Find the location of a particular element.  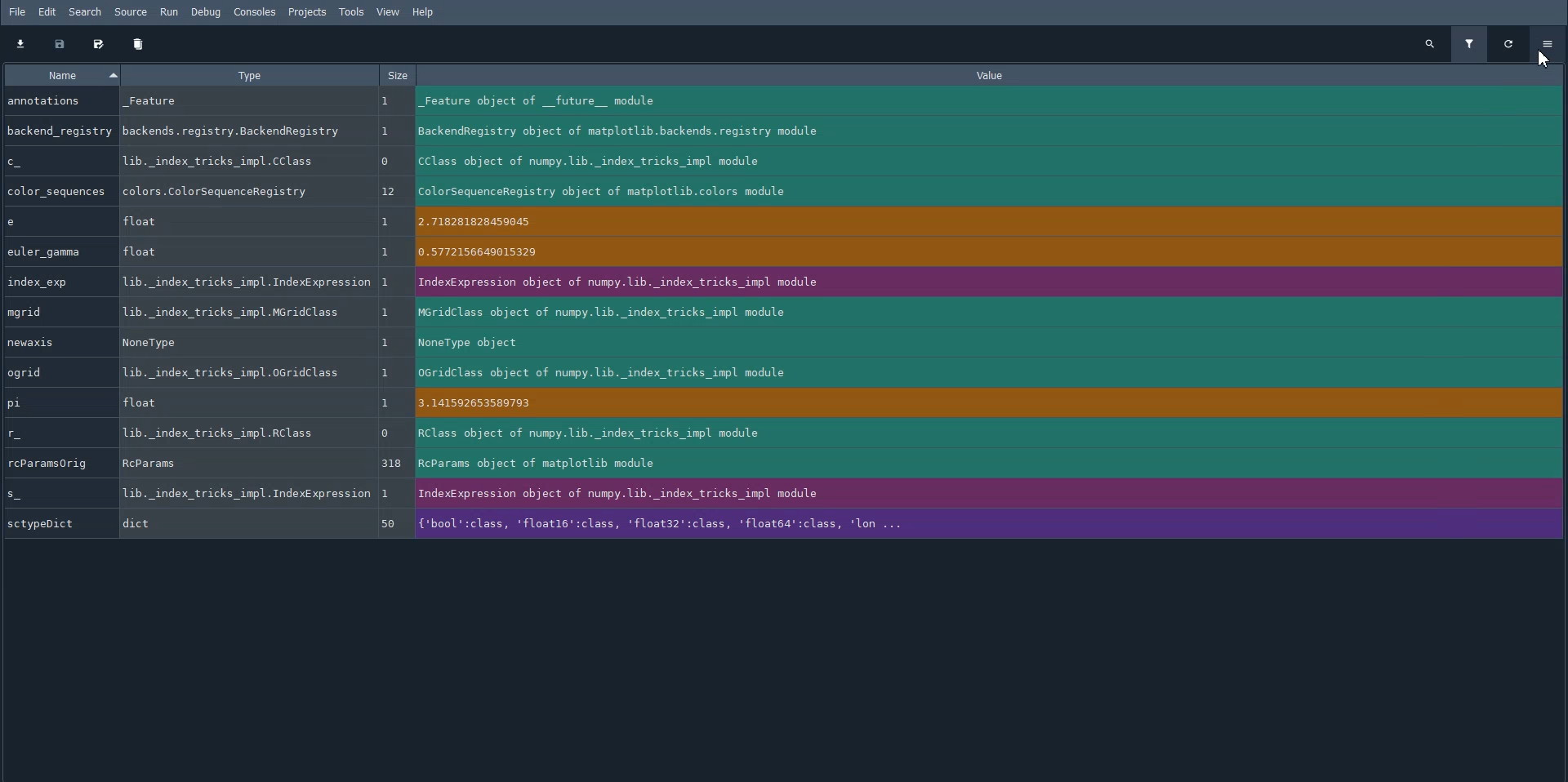

type vlaue is located at coordinates (245, 283).